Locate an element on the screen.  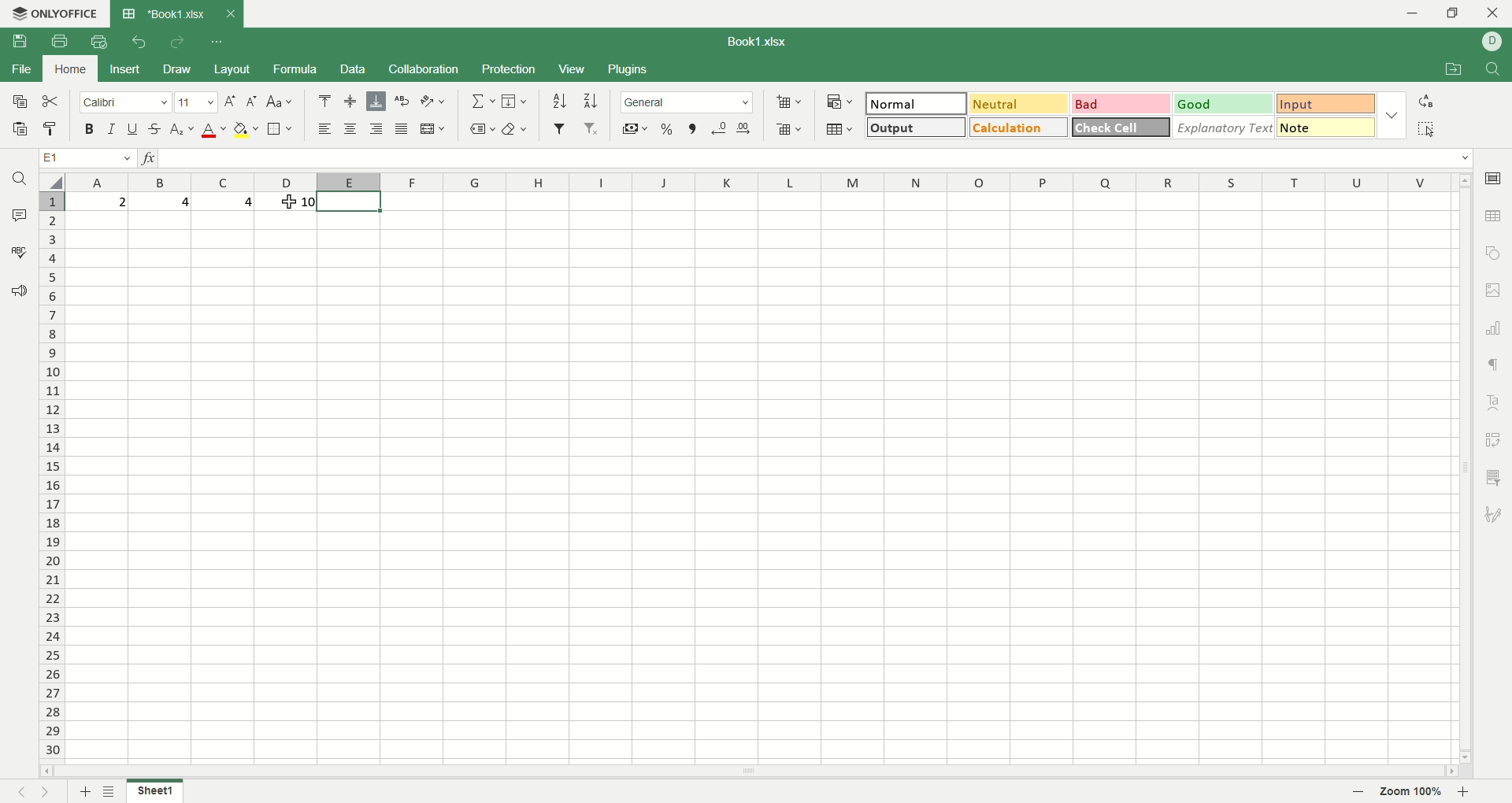
layout is located at coordinates (233, 68).